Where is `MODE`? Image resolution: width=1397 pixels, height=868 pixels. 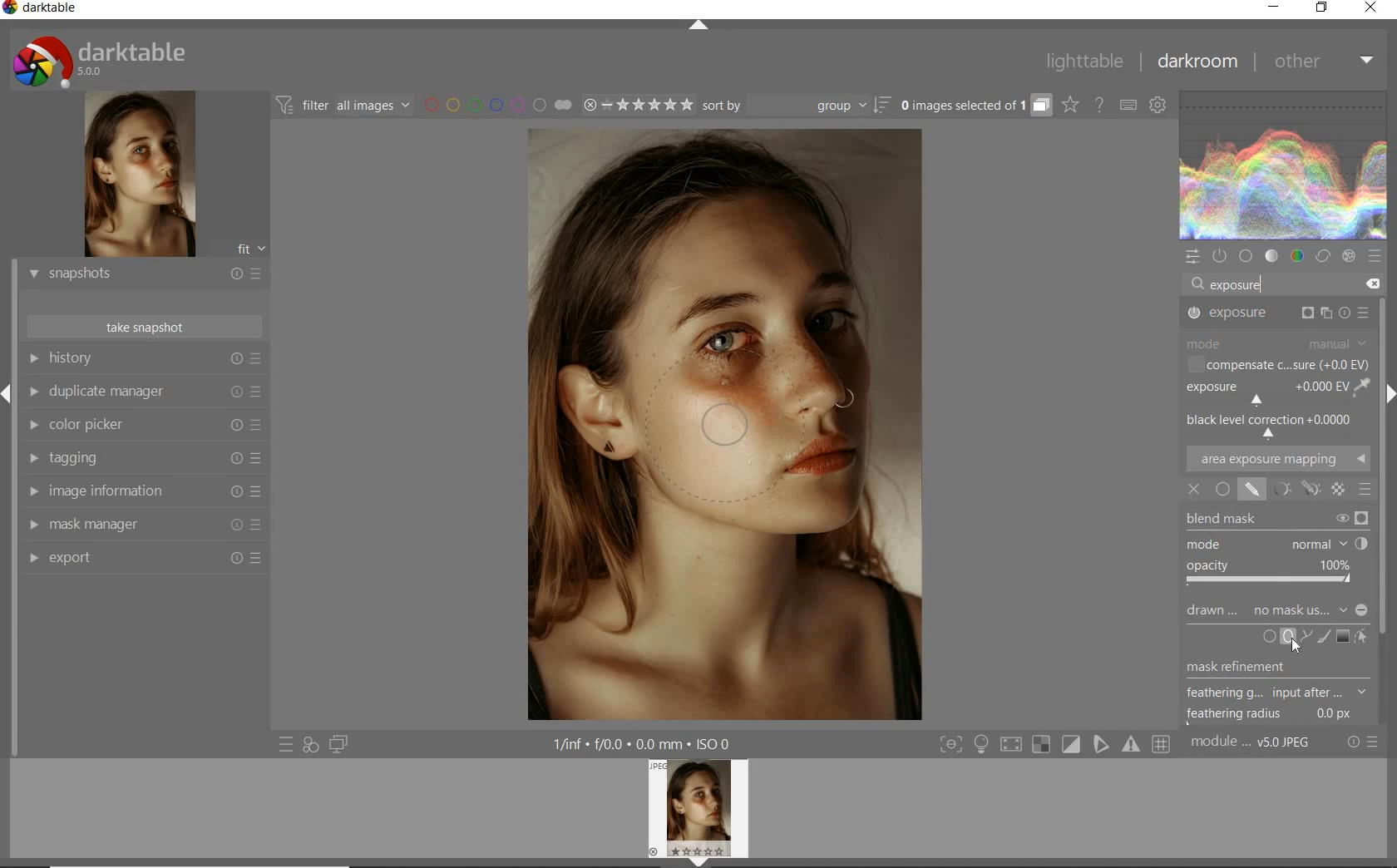 MODE is located at coordinates (1272, 542).